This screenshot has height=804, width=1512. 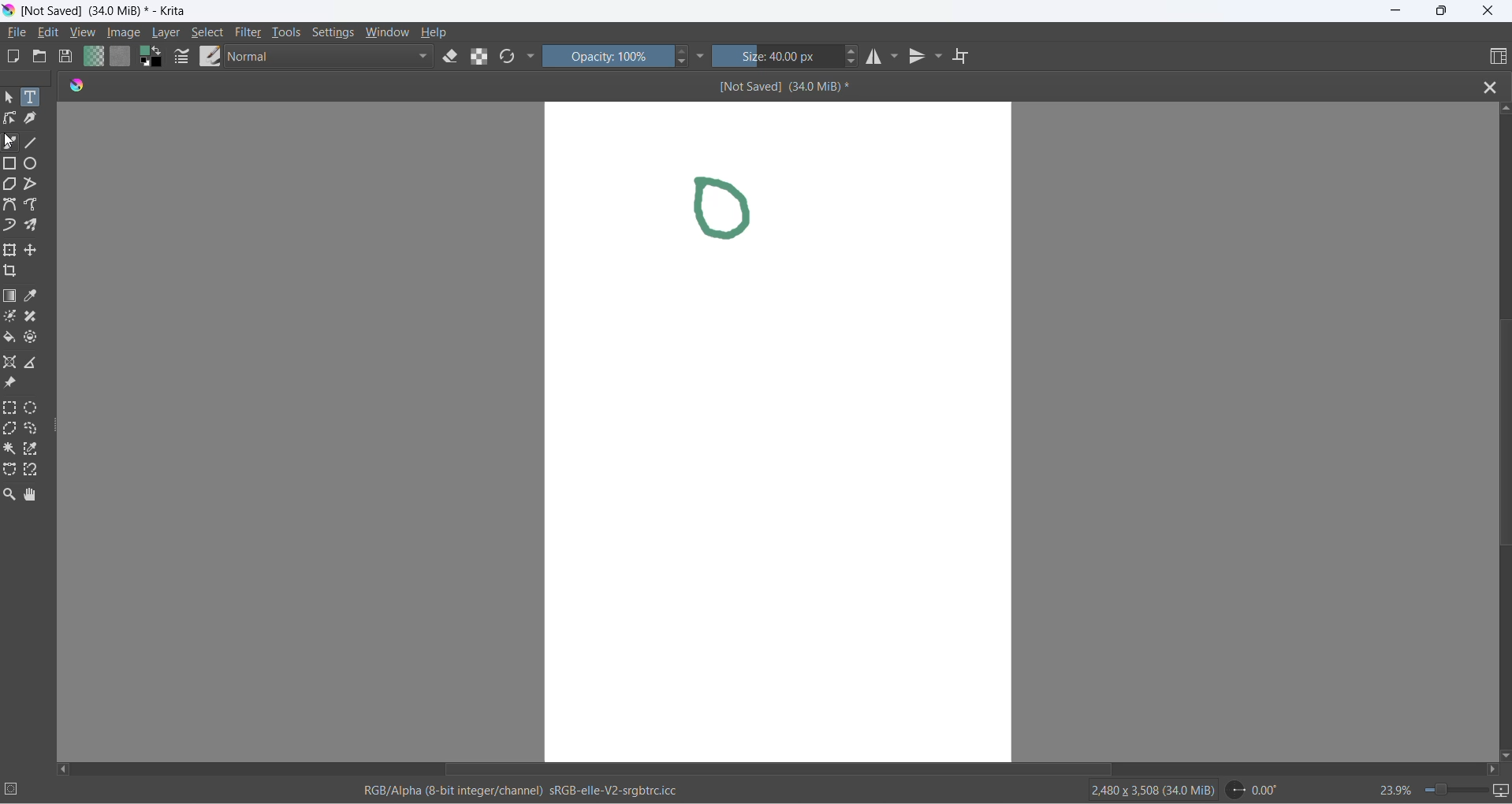 I want to click on transform a layer, so click(x=12, y=251).